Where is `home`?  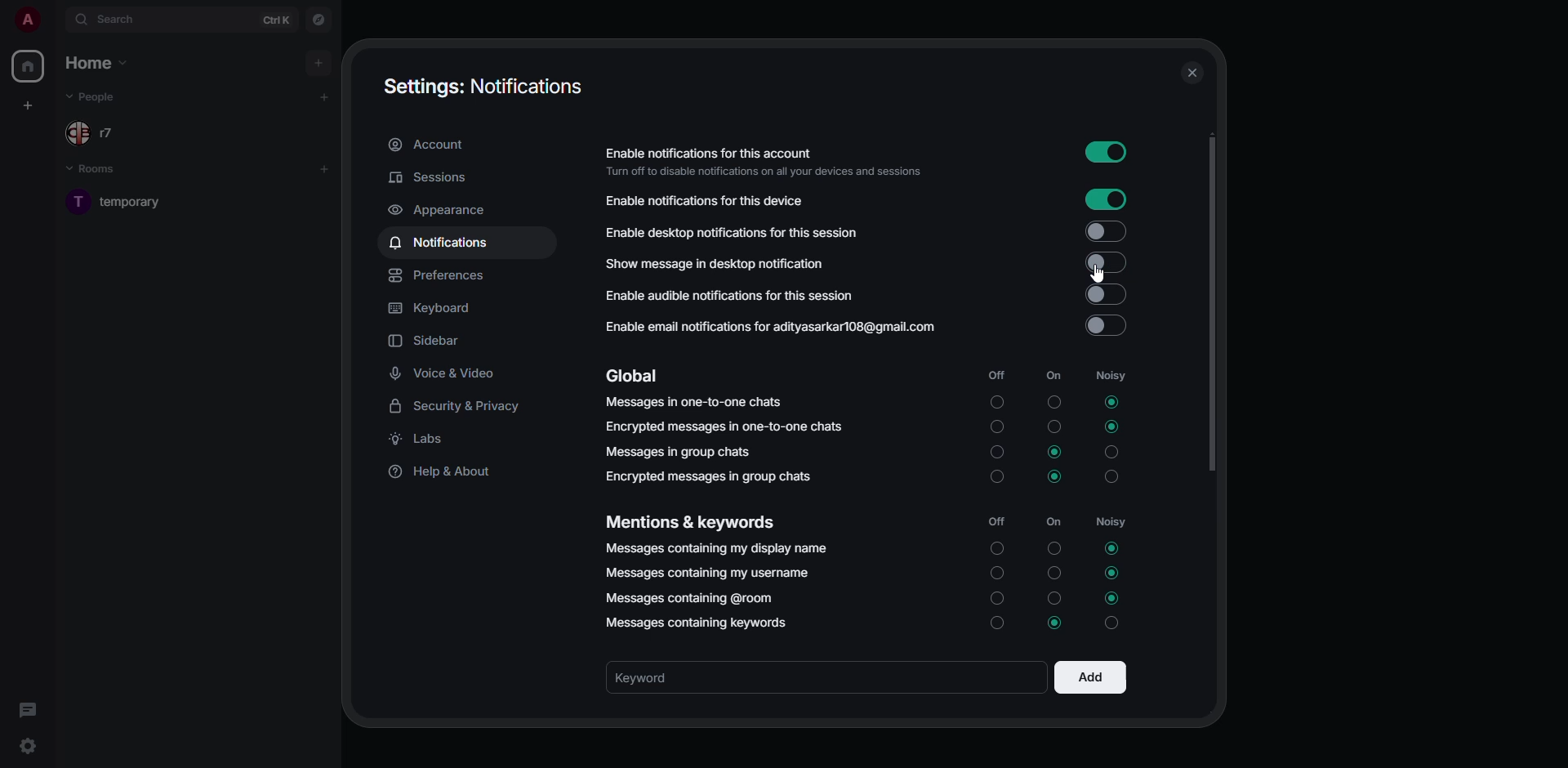
home is located at coordinates (26, 66).